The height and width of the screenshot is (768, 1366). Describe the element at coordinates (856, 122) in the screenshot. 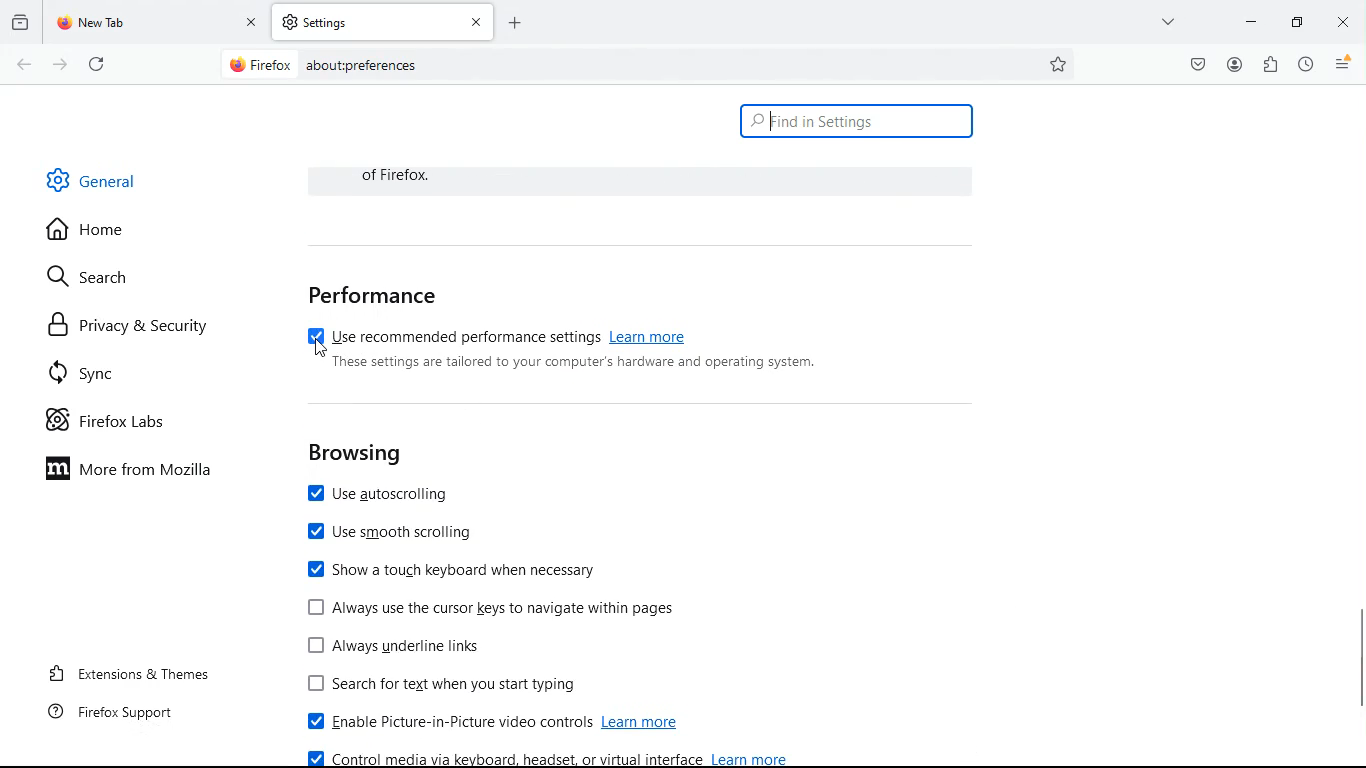

I see `find in settings` at that location.